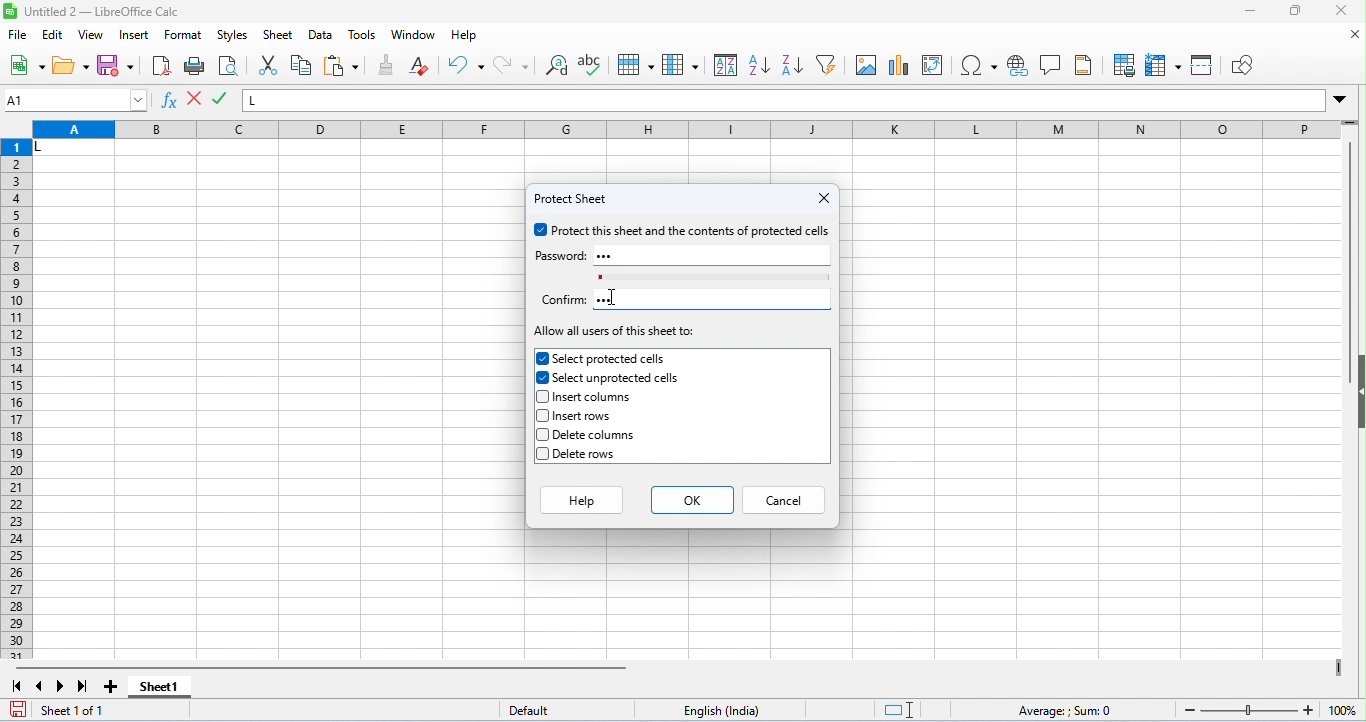  I want to click on help, so click(465, 37).